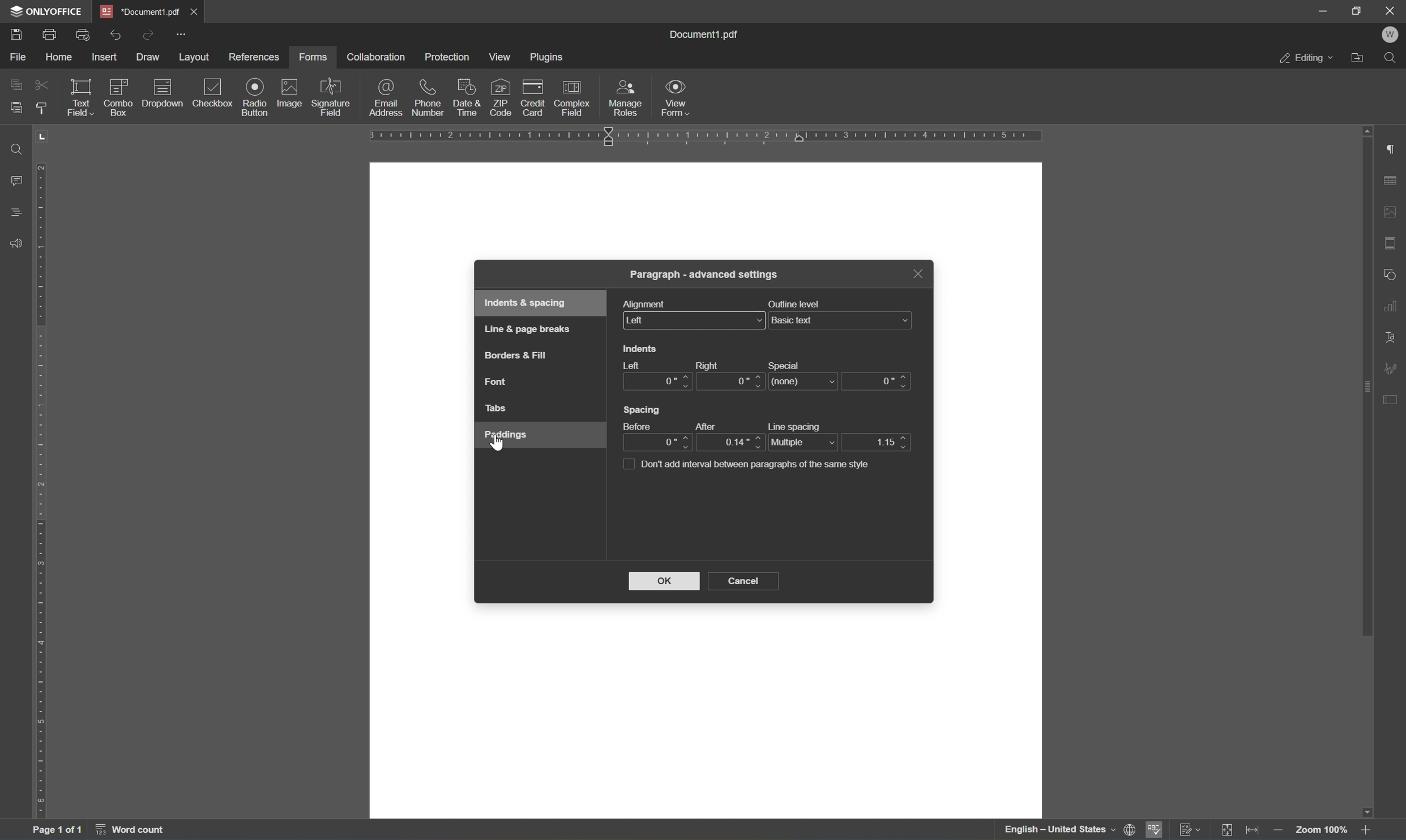 The height and width of the screenshot is (840, 1406). Describe the element at coordinates (1393, 306) in the screenshot. I see `chart settings` at that location.